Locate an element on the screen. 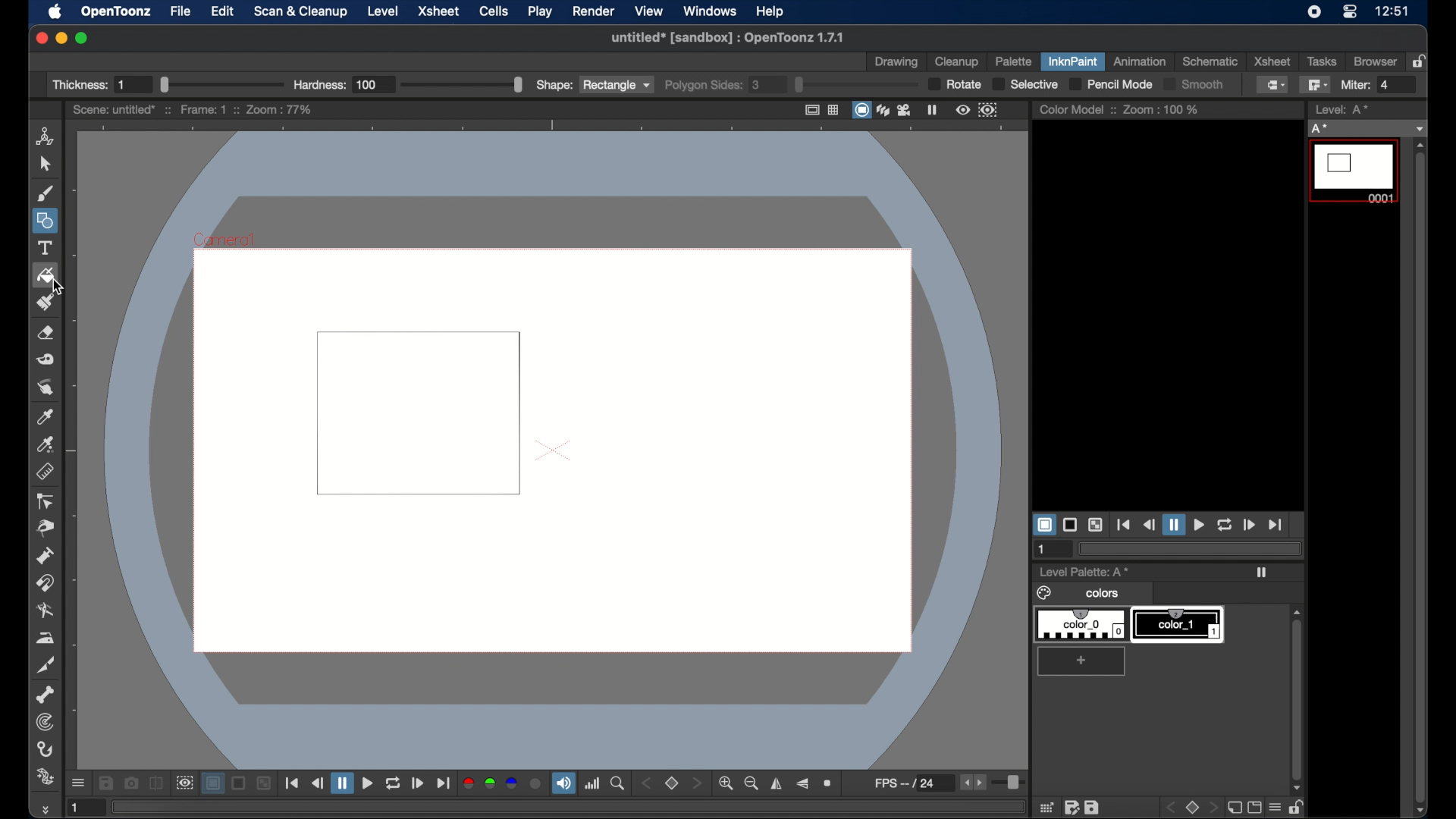  compare to snapshot is located at coordinates (156, 783).